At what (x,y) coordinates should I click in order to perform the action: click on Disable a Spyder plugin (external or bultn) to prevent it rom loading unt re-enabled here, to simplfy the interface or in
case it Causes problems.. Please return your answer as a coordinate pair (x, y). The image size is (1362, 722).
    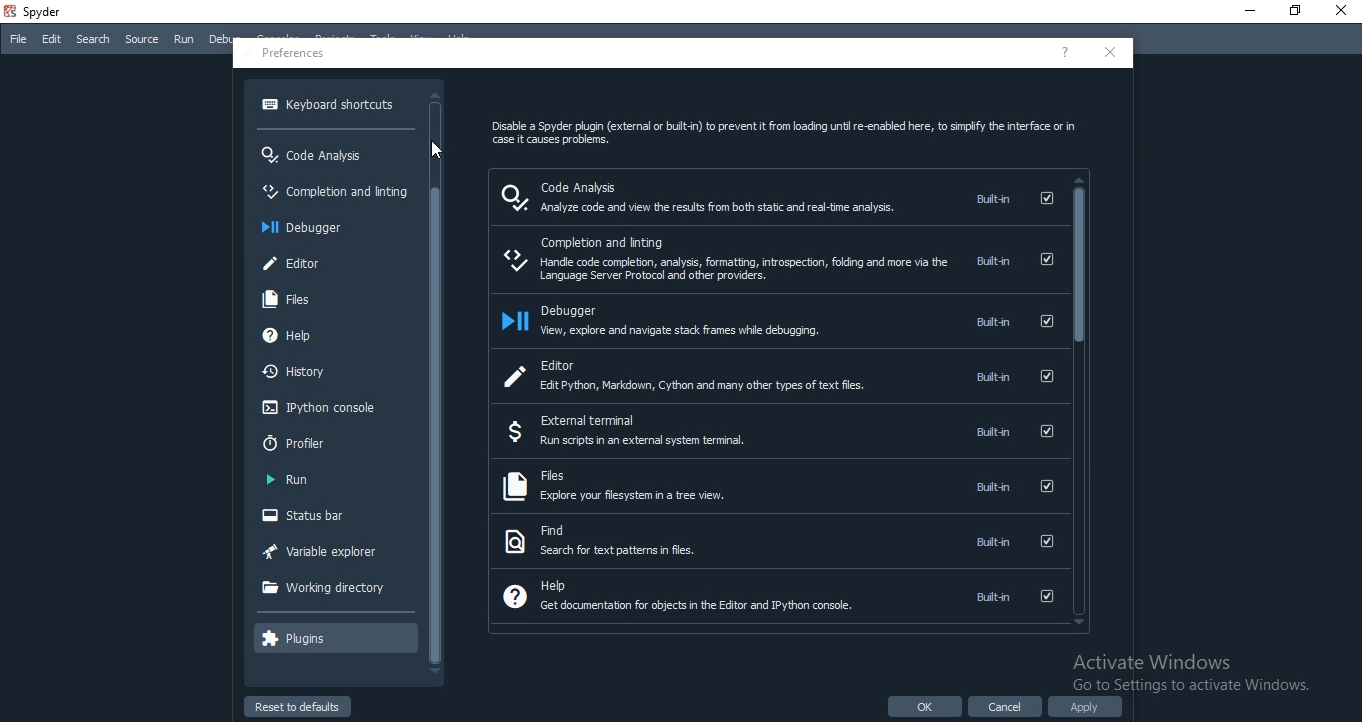
    Looking at the image, I should click on (775, 129).